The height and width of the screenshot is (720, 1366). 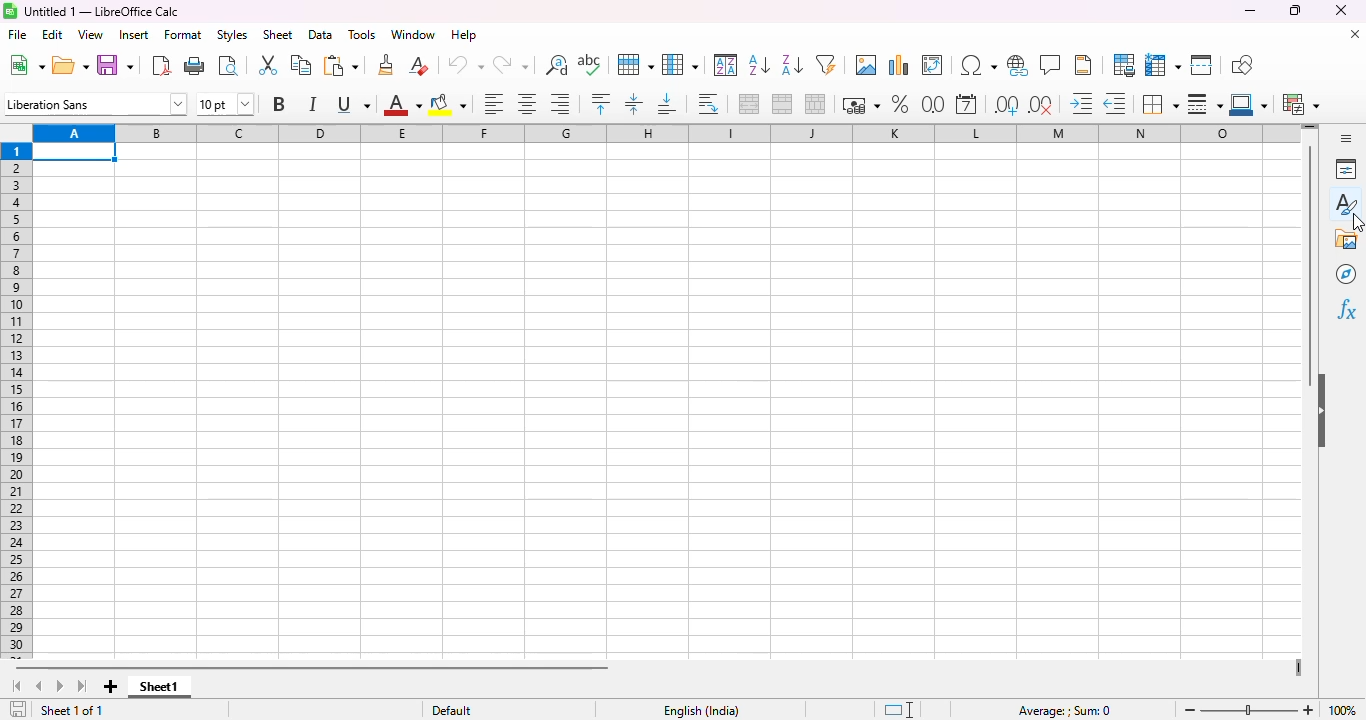 What do you see at coordinates (1065, 711) in the screenshot?
I see `formula` at bounding box center [1065, 711].